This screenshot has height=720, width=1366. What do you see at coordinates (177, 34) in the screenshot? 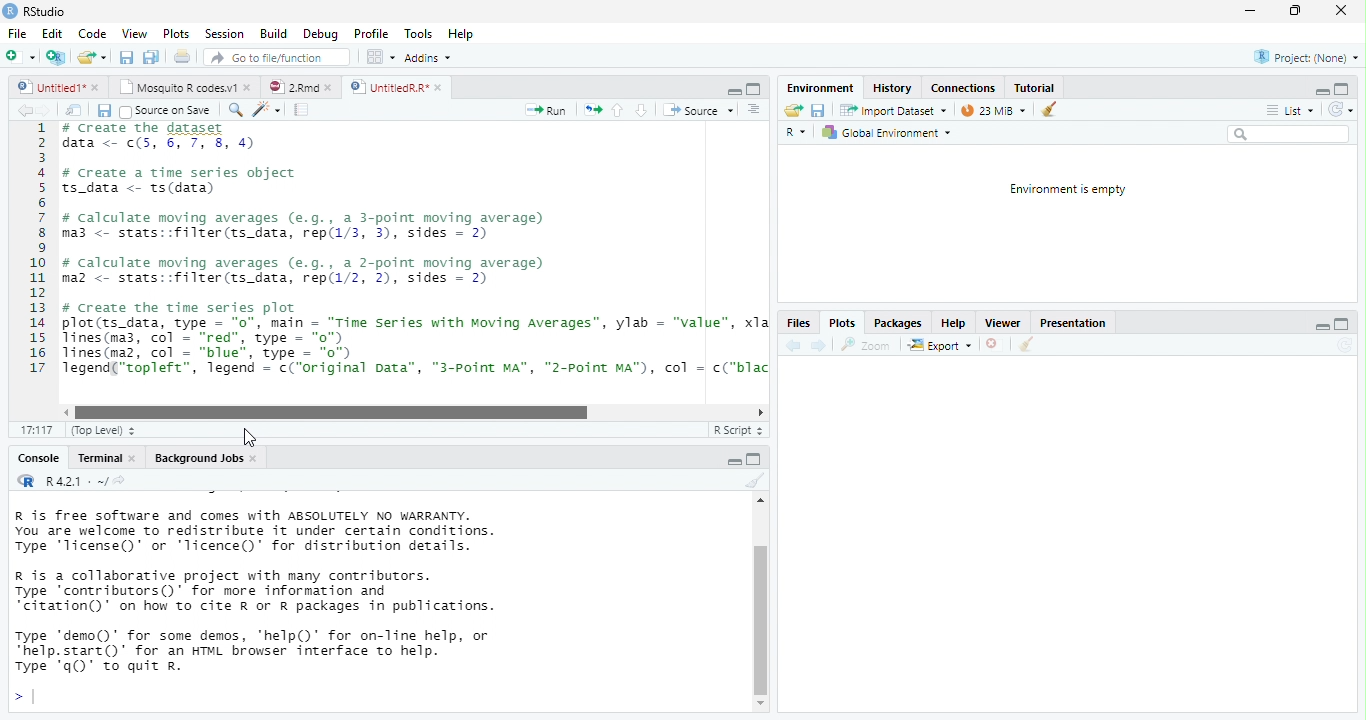
I see `Plots` at bounding box center [177, 34].